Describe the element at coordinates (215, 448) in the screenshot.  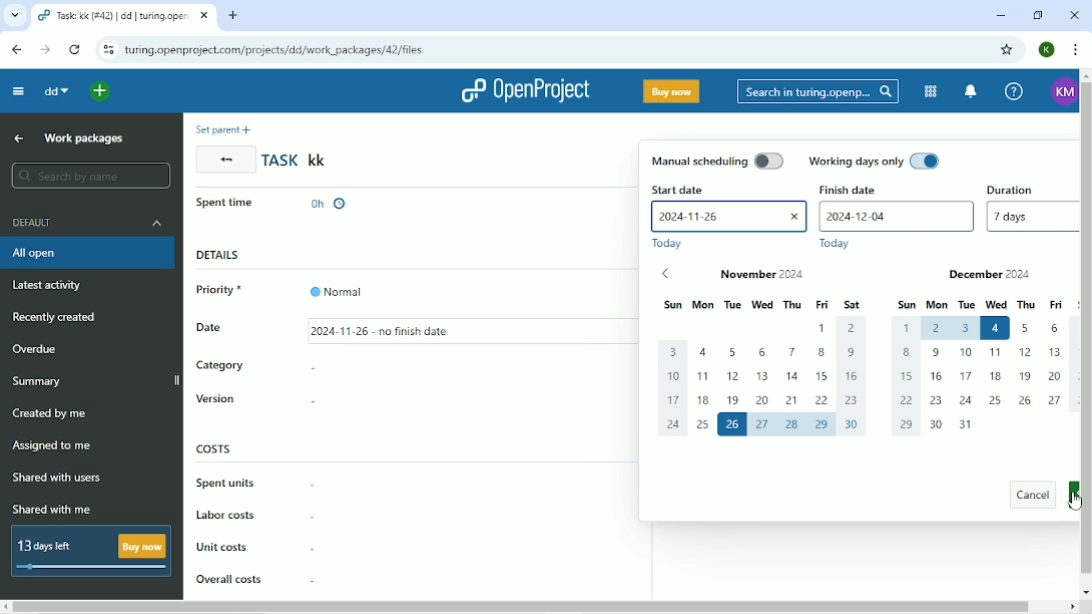
I see `Costs` at that location.